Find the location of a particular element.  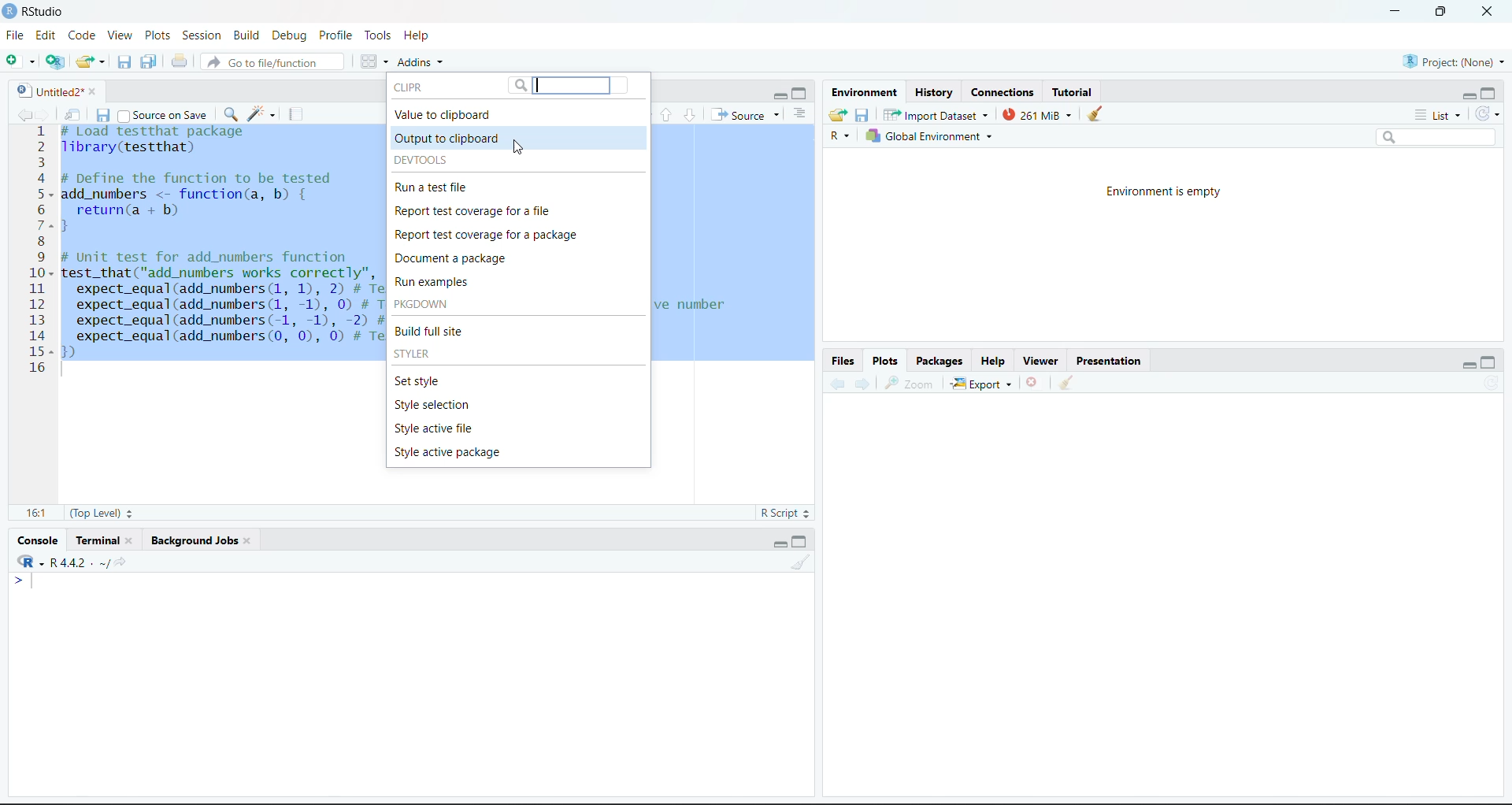

Source is located at coordinates (747, 113).